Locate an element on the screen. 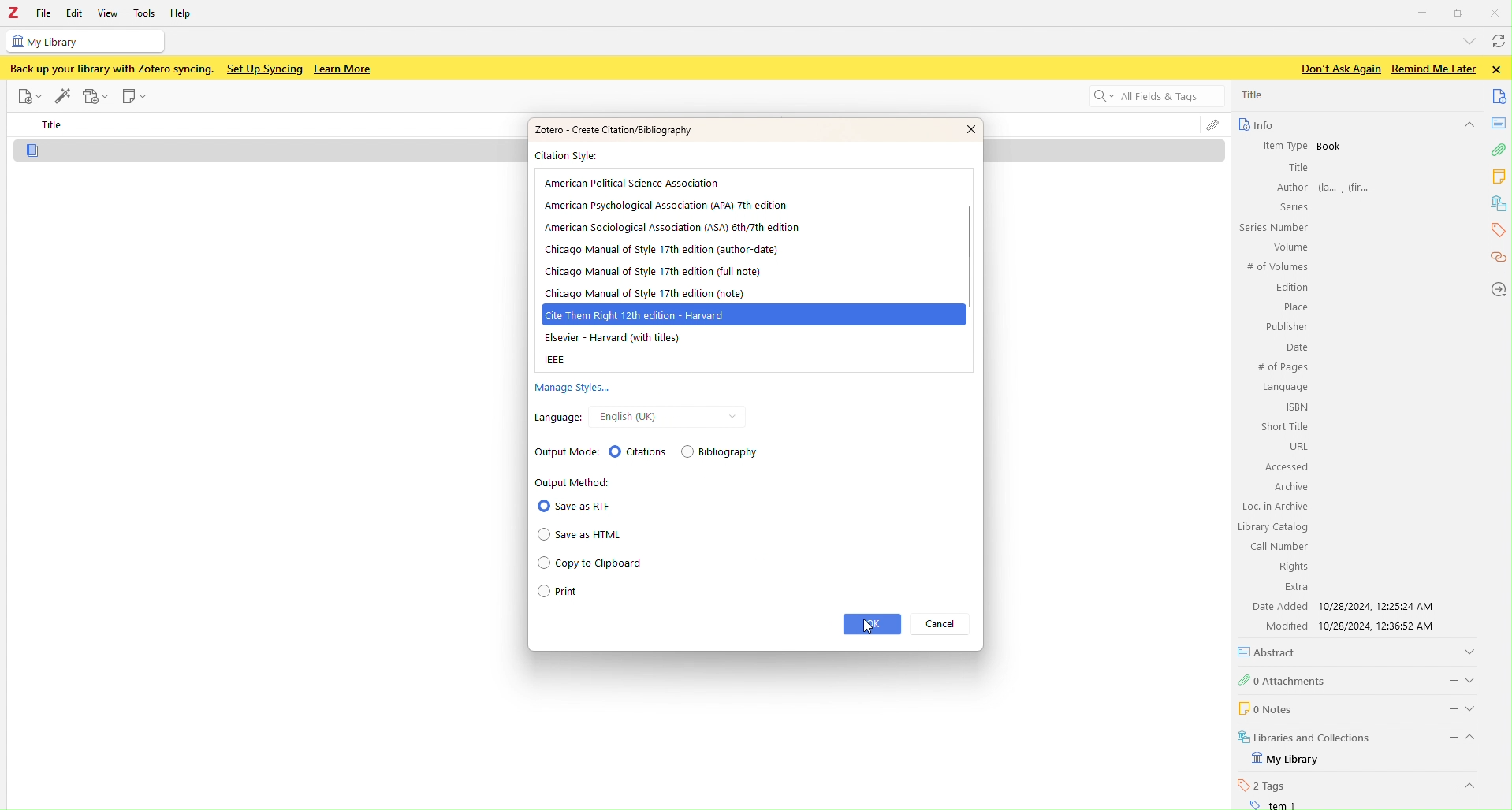 The image size is (1512, 810). Language: is located at coordinates (555, 417).